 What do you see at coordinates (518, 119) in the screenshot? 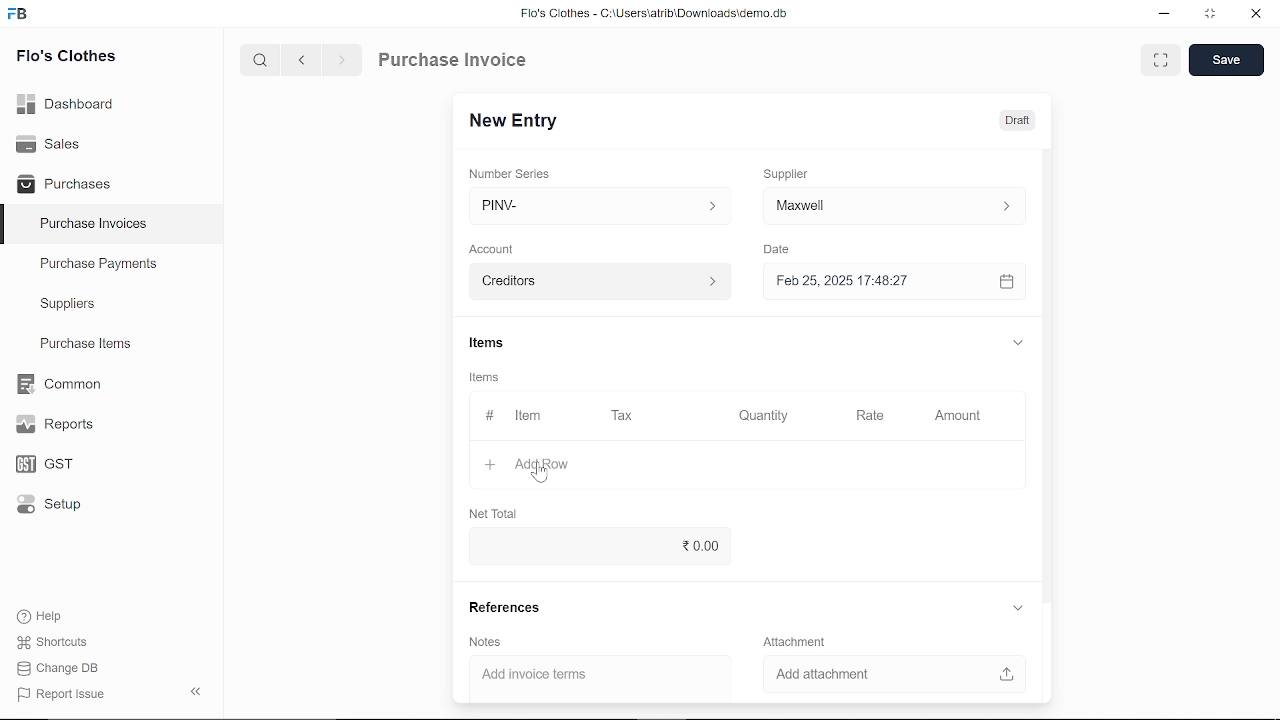
I see `New Entry` at bounding box center [518, 119].